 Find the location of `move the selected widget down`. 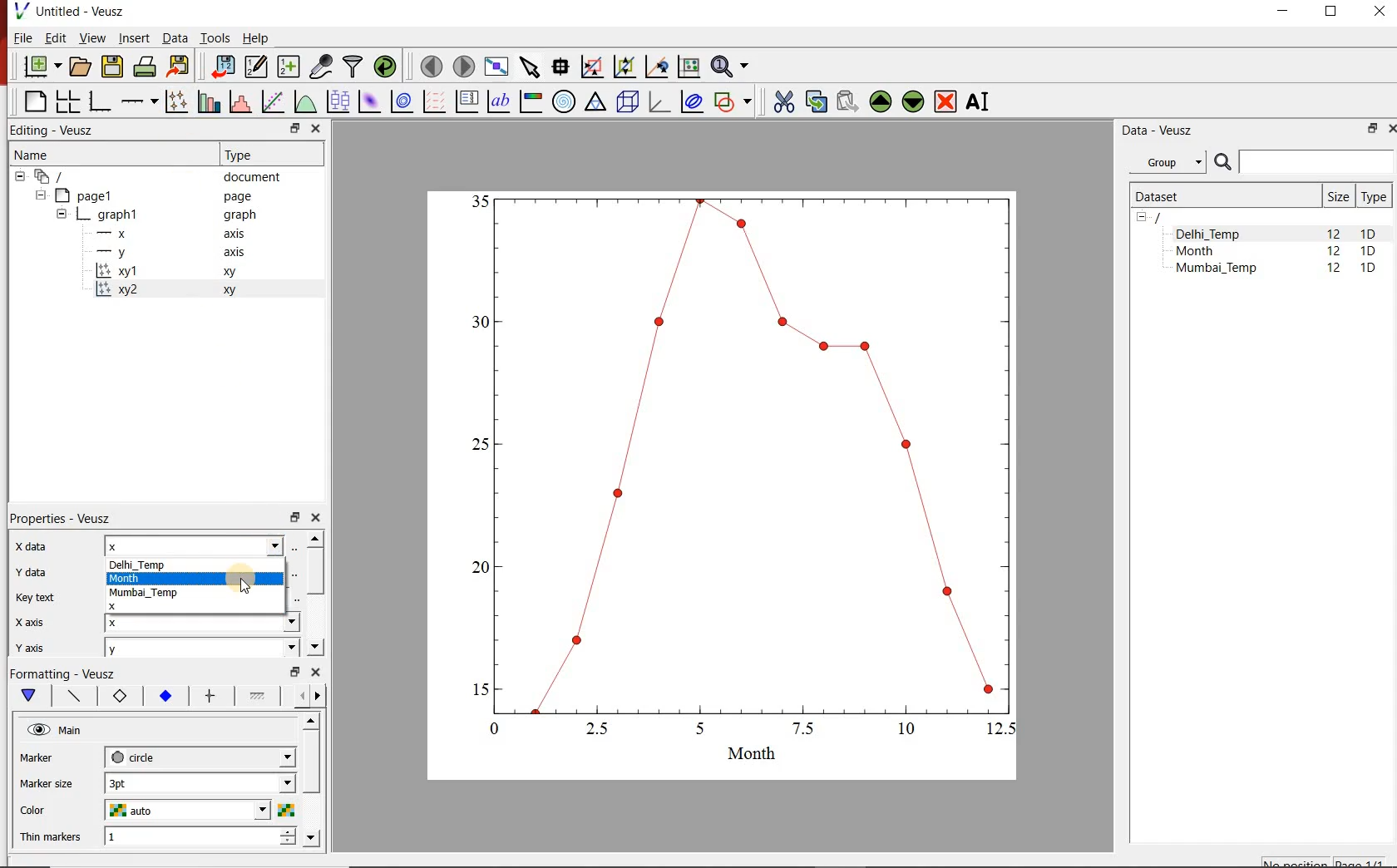

move the selected widget down is located at coordinates (913, 102).